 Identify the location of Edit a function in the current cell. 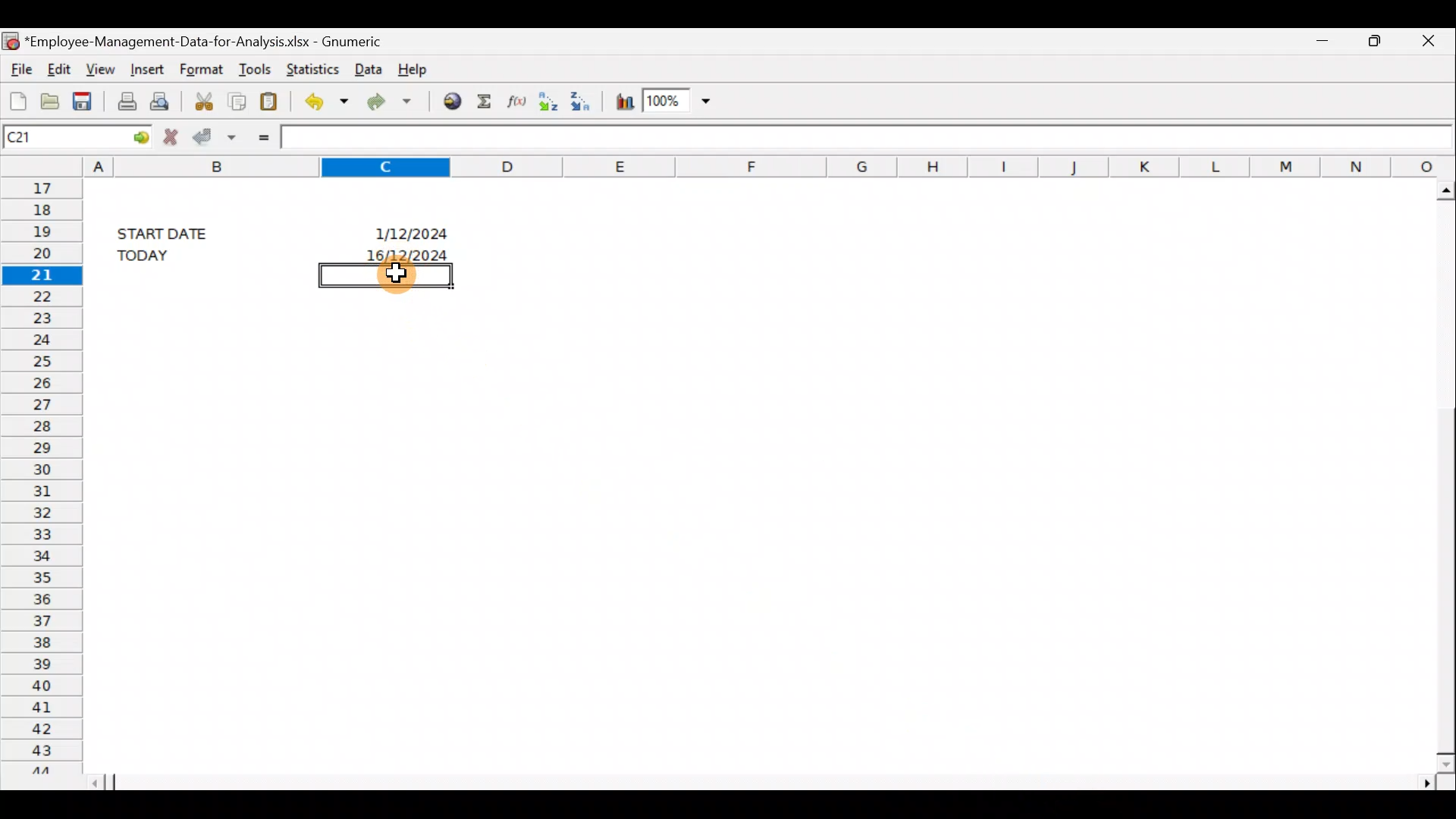
(514, 102).